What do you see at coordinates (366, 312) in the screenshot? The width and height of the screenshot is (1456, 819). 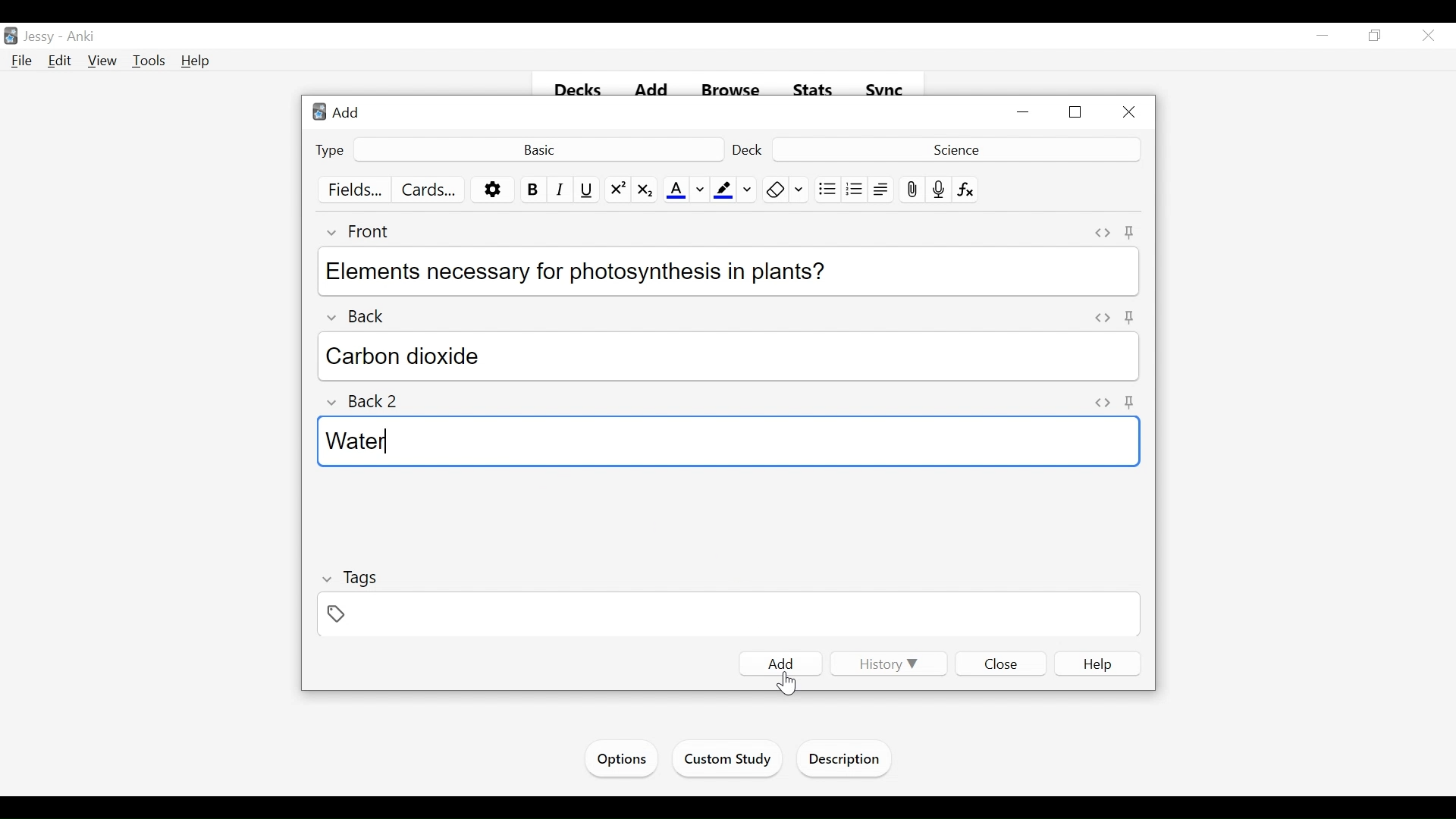 I see `Back` at bounding box center [366, 312].